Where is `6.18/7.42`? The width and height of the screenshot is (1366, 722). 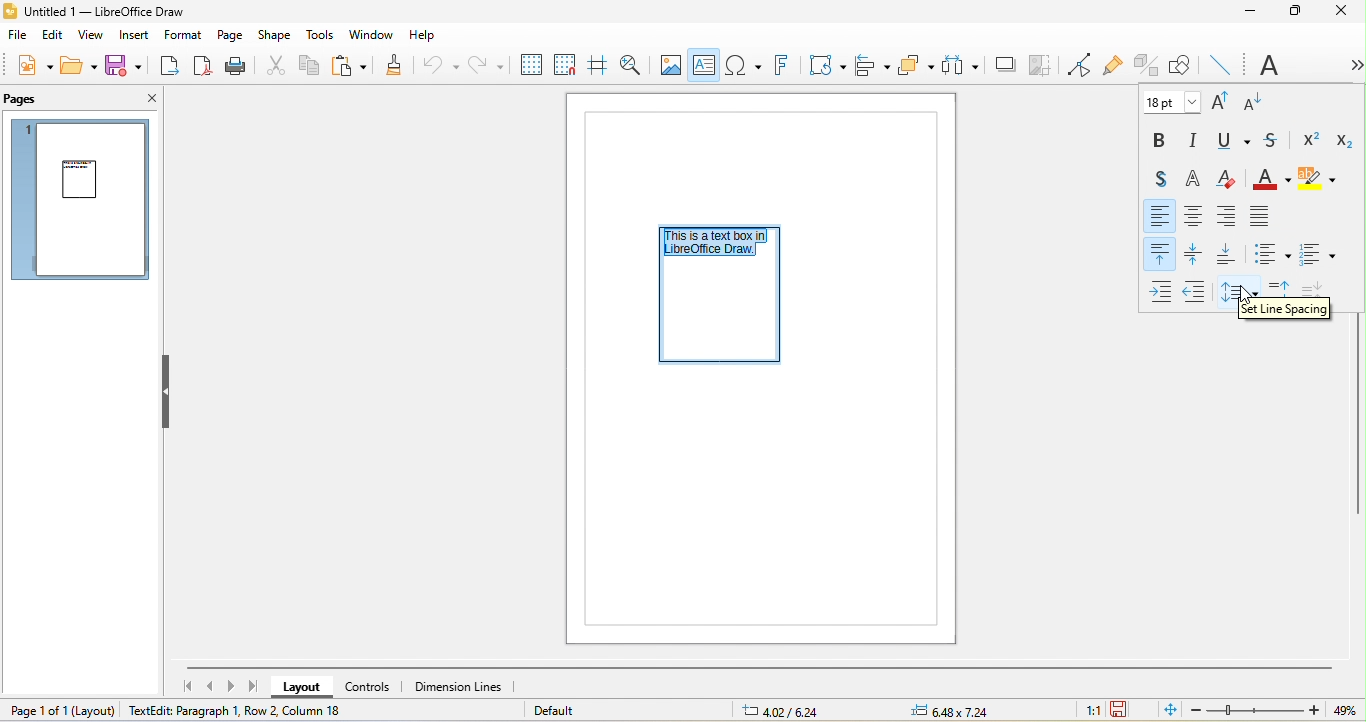 6.18/7.42 is located at coordinates (785, 710).